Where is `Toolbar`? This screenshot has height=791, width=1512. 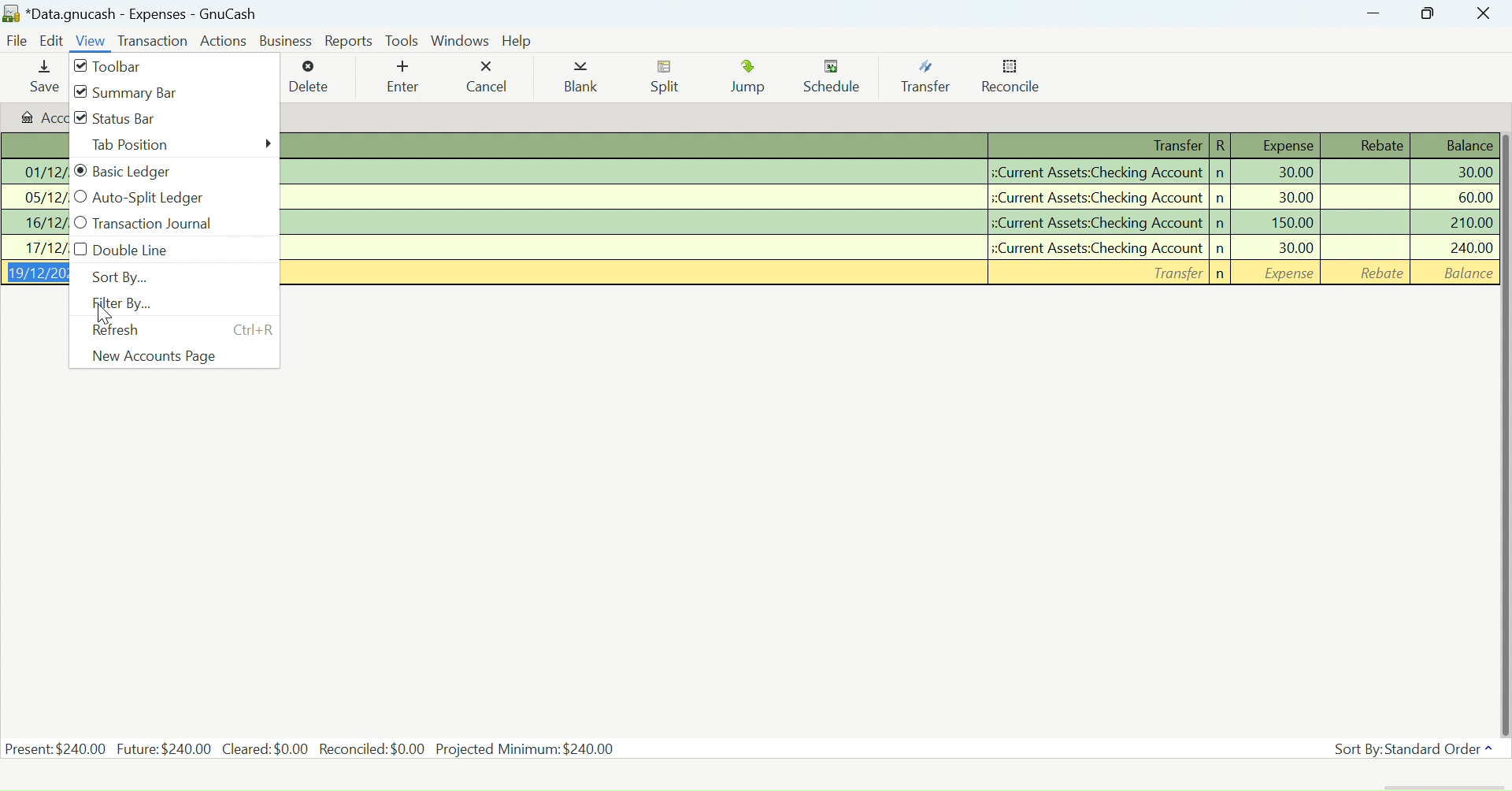 Toolbar is located at coordinates (124, 69).